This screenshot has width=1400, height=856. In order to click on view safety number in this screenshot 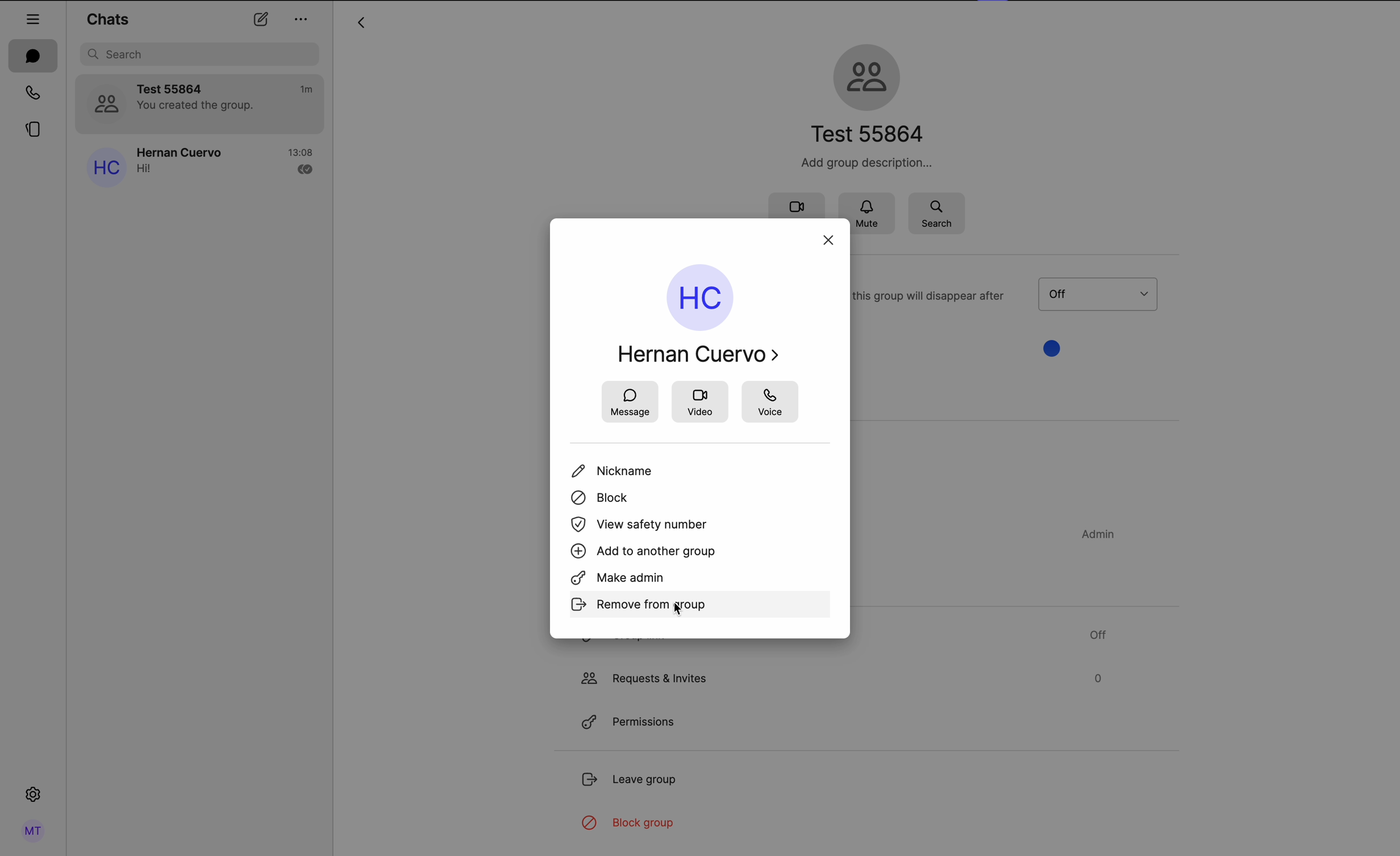, I will do `click(644, 525)`.